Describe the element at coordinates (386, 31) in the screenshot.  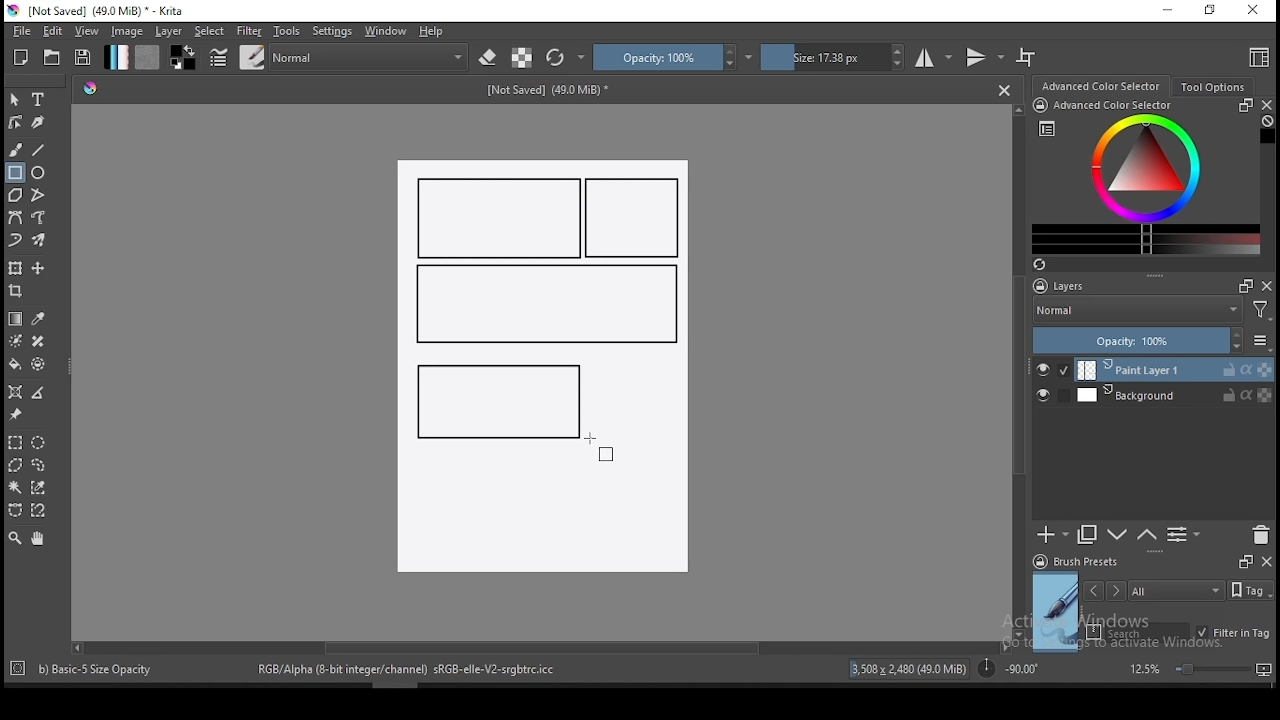
I see `windows` at that location.